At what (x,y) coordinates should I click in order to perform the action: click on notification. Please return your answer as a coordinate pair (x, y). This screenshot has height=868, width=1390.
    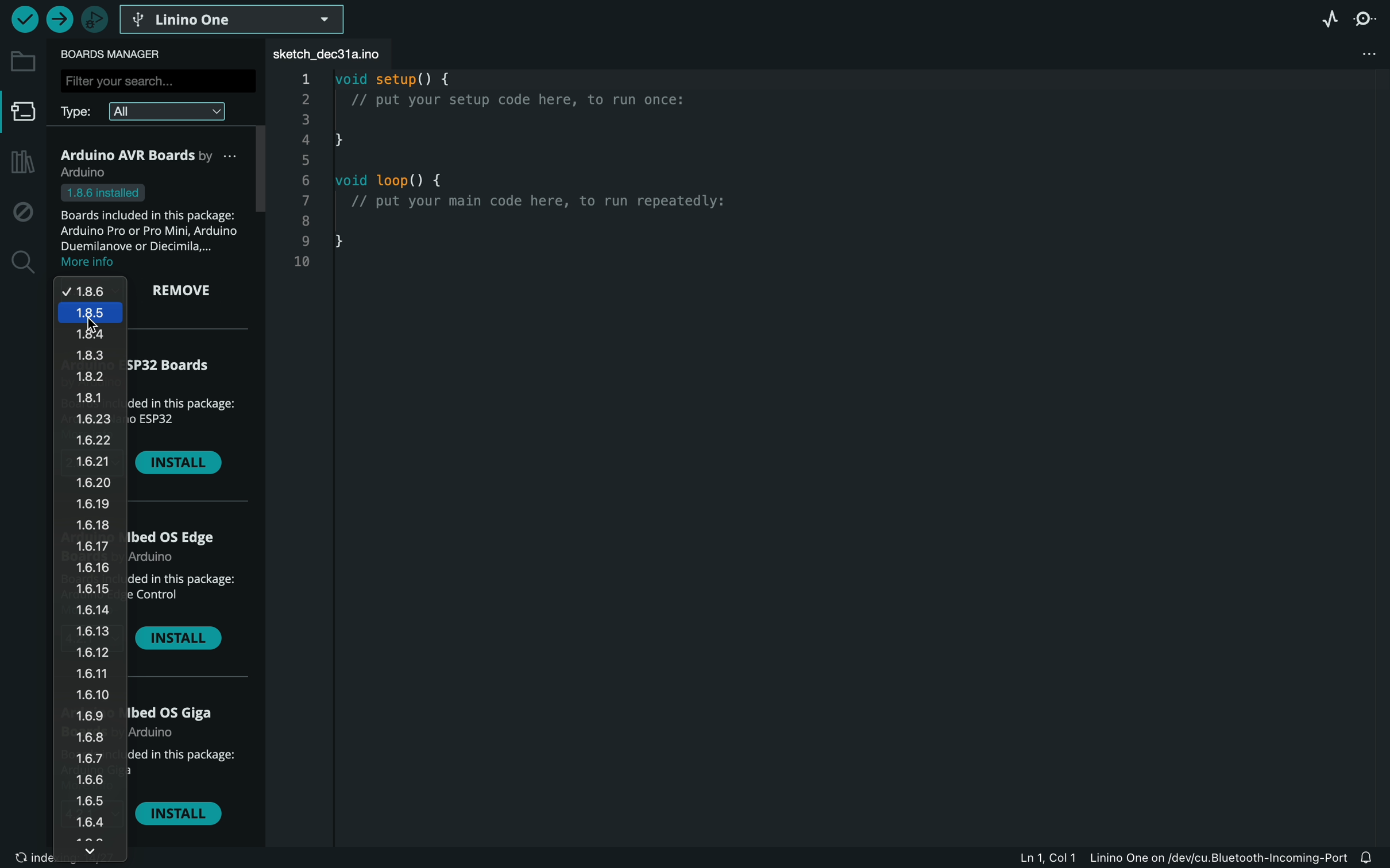
    Looking at the image, I should click on (1373, 855).